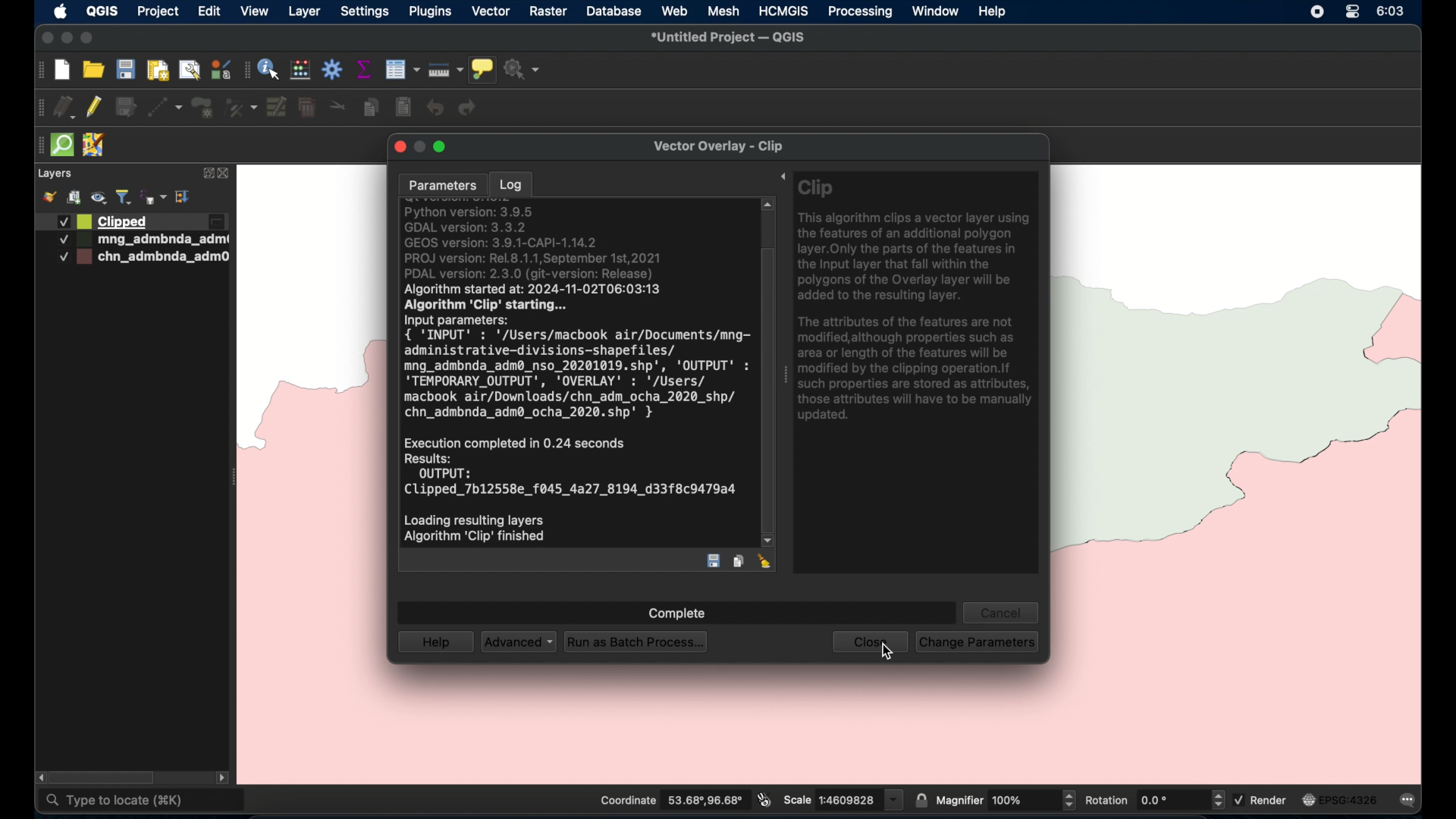 This screenshot has width=1456, height=819. What do you see at coordinates (74, 197) in the screenshot?
I see `add group` at bounding box center [74, 197].